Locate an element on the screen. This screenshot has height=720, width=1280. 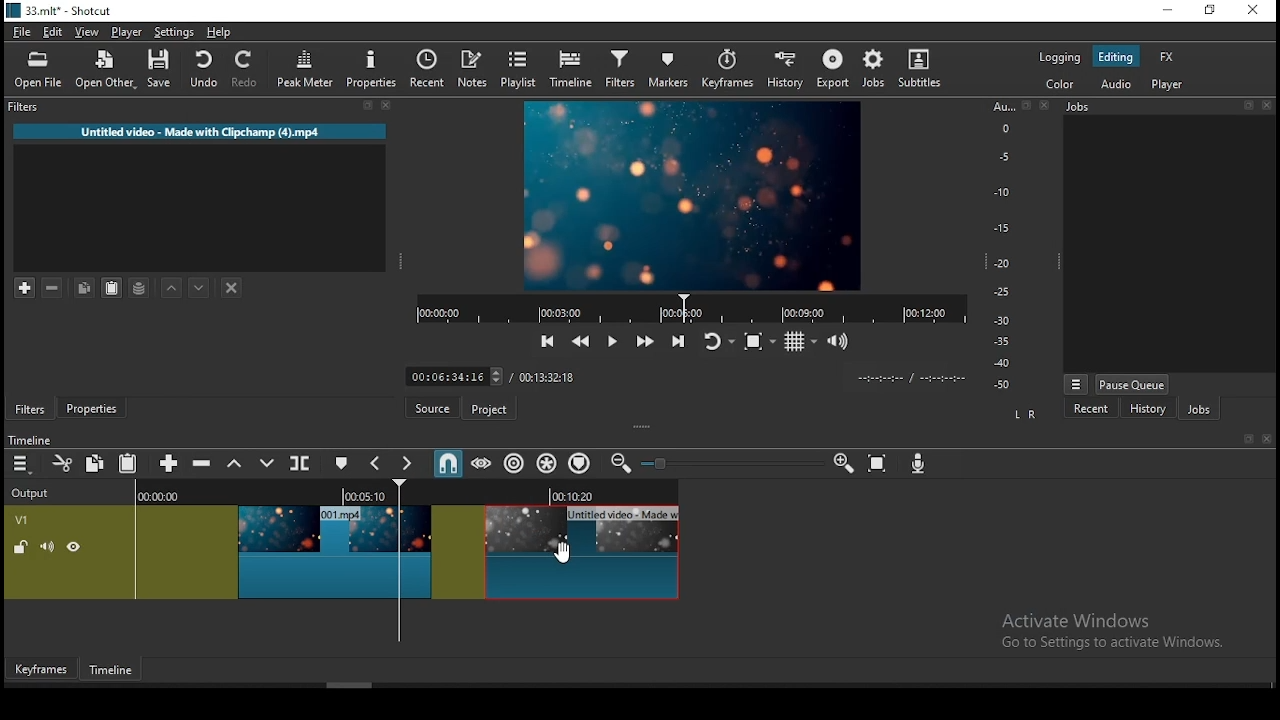
undo is located at coordinates (205, 70).